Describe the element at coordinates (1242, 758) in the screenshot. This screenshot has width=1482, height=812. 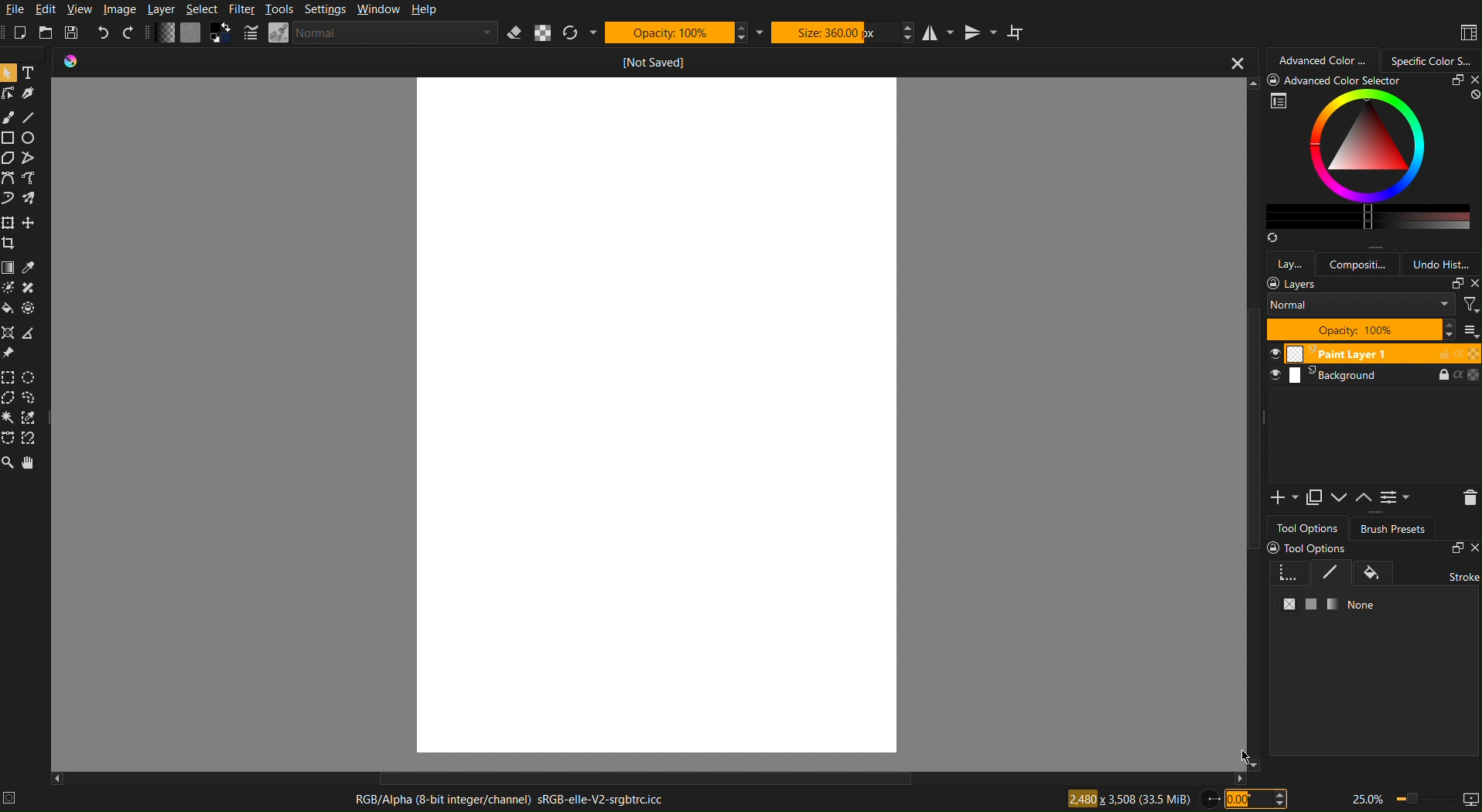
I see `cursor` at that location.